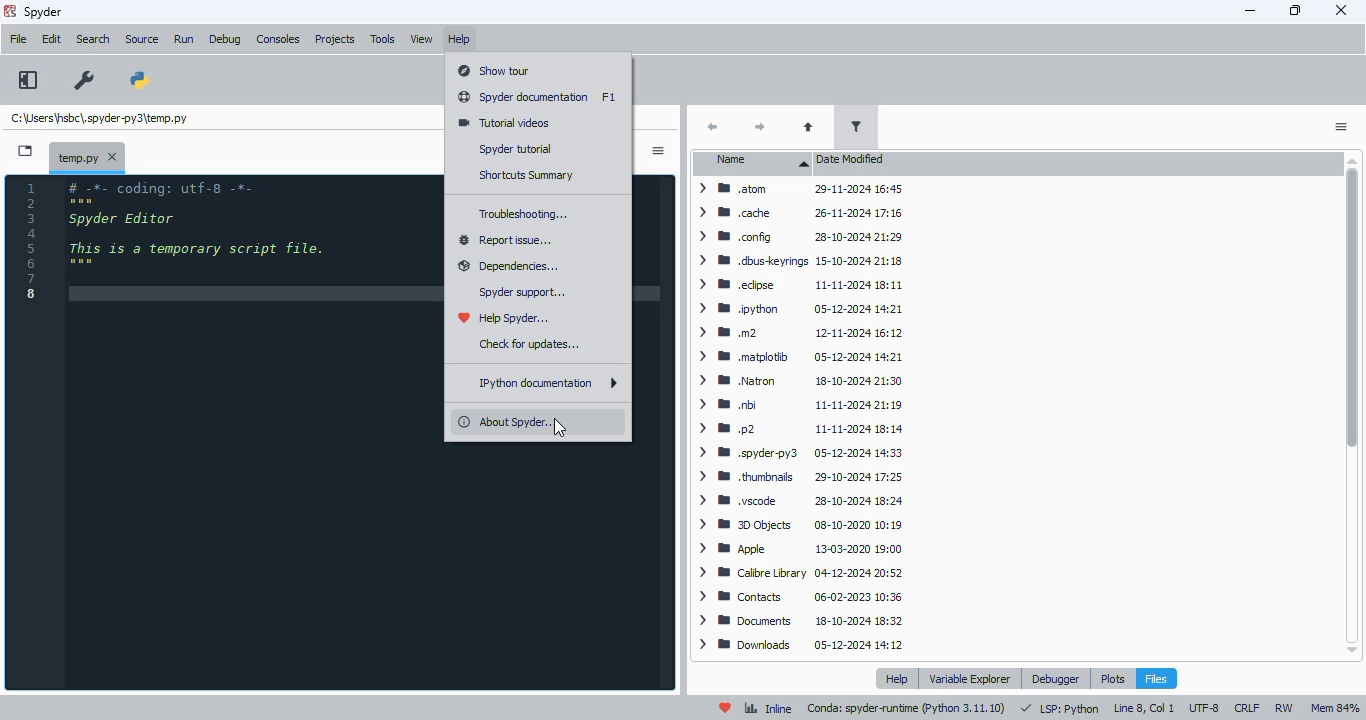  Describe the element at coordinates (798, 189) in the screenshot. I see `> BB atom 29-11-2024 16:45` at that location.